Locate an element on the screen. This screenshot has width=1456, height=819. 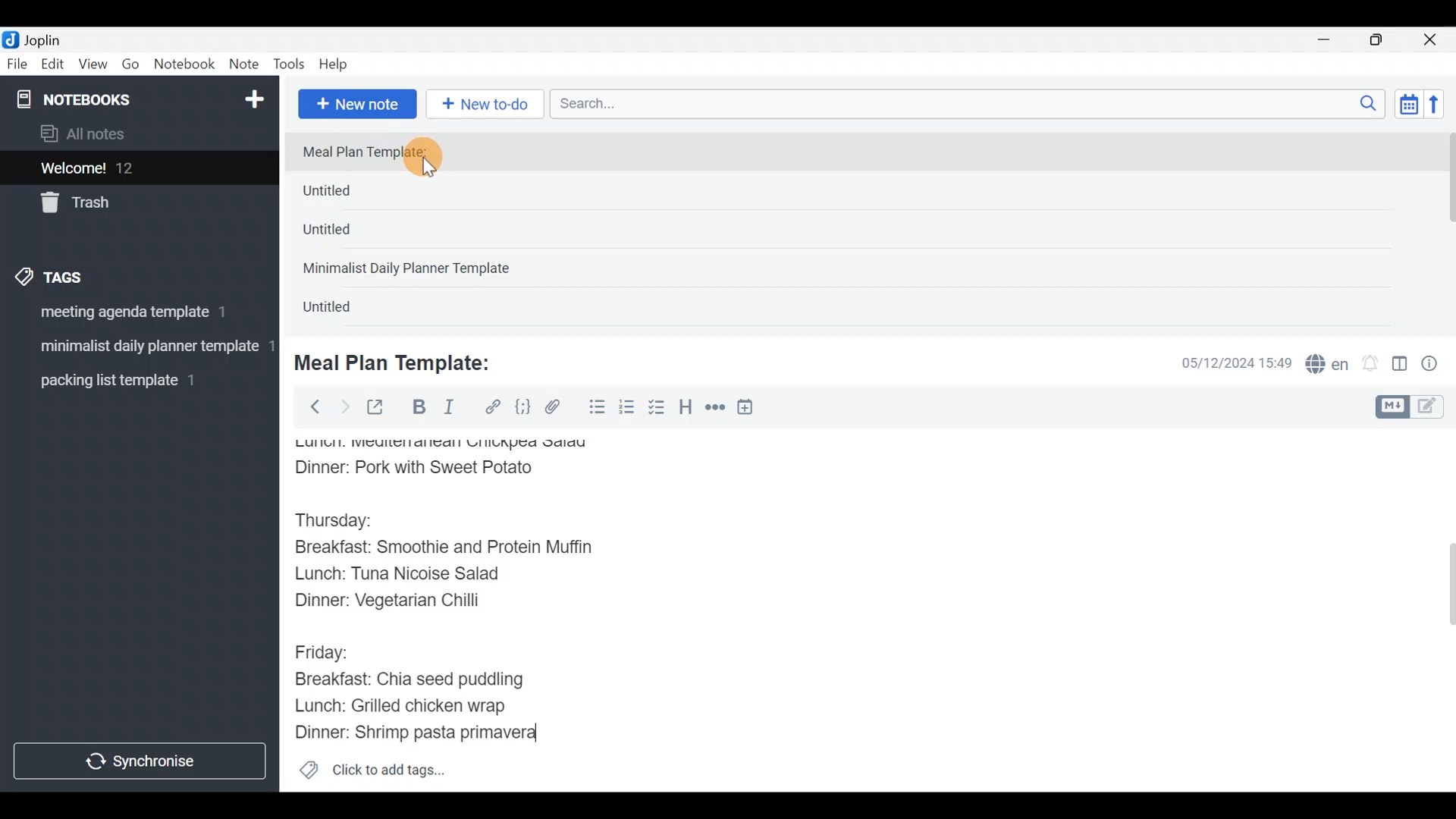
Bold is located at coordinates (418, 409).